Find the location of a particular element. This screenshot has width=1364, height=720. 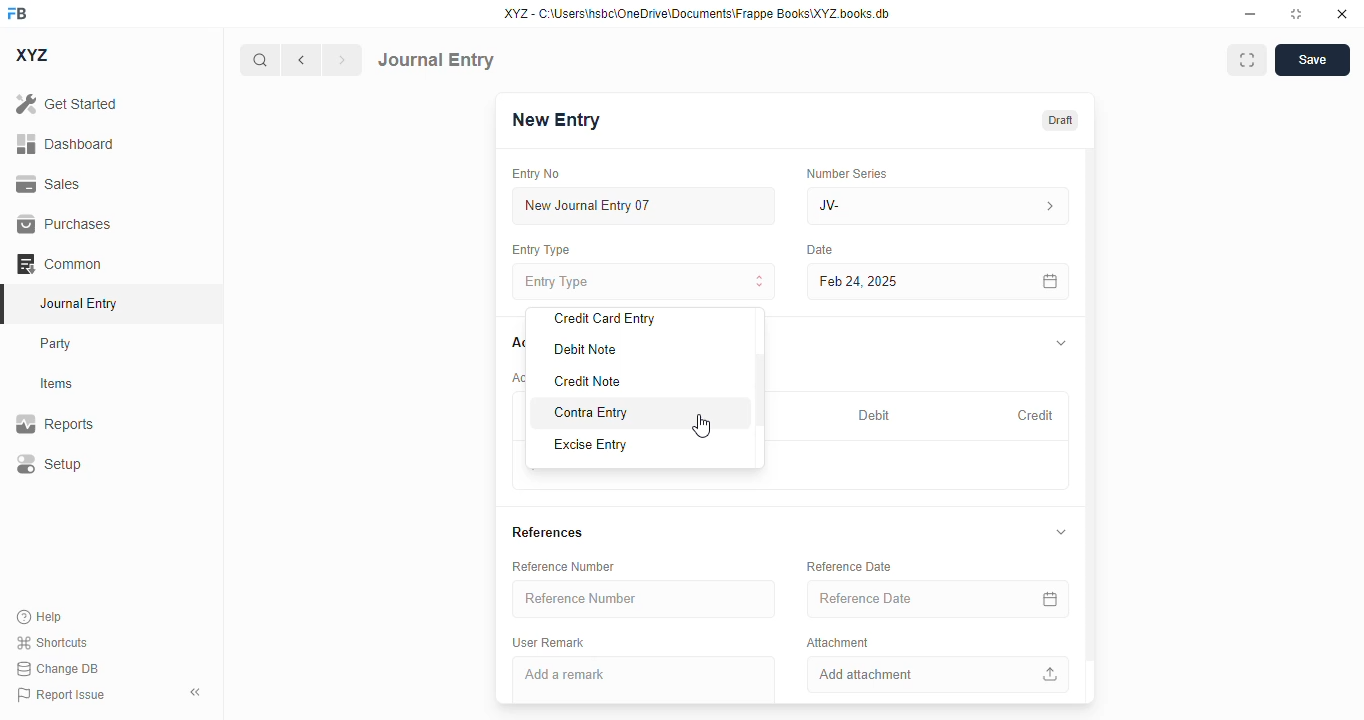

minimize is located at coordinates (1251, 14).